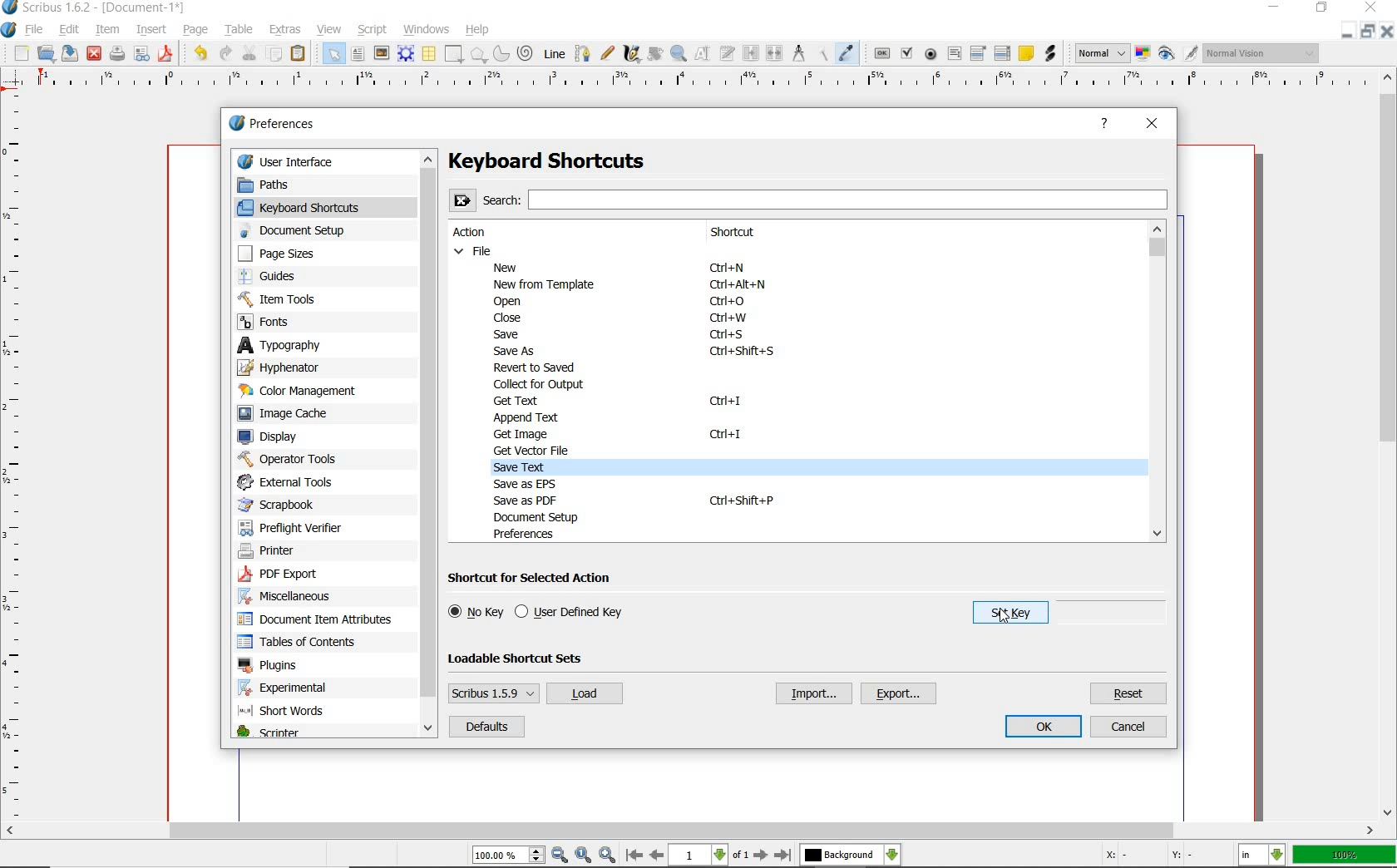  Describe the element at coordinates (547, 284) in the screenshot. I see `new from template` at that location.